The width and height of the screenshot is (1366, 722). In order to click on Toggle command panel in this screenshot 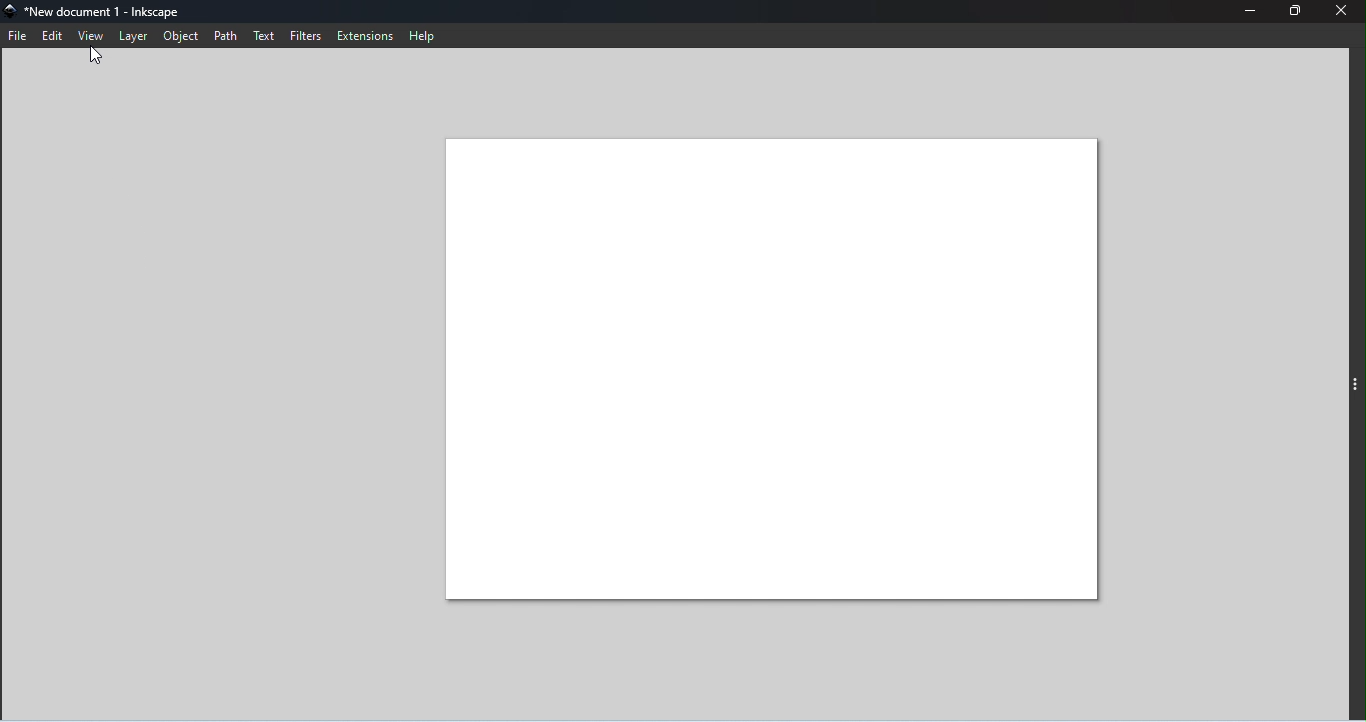, I will do `click(1356, 386)`.